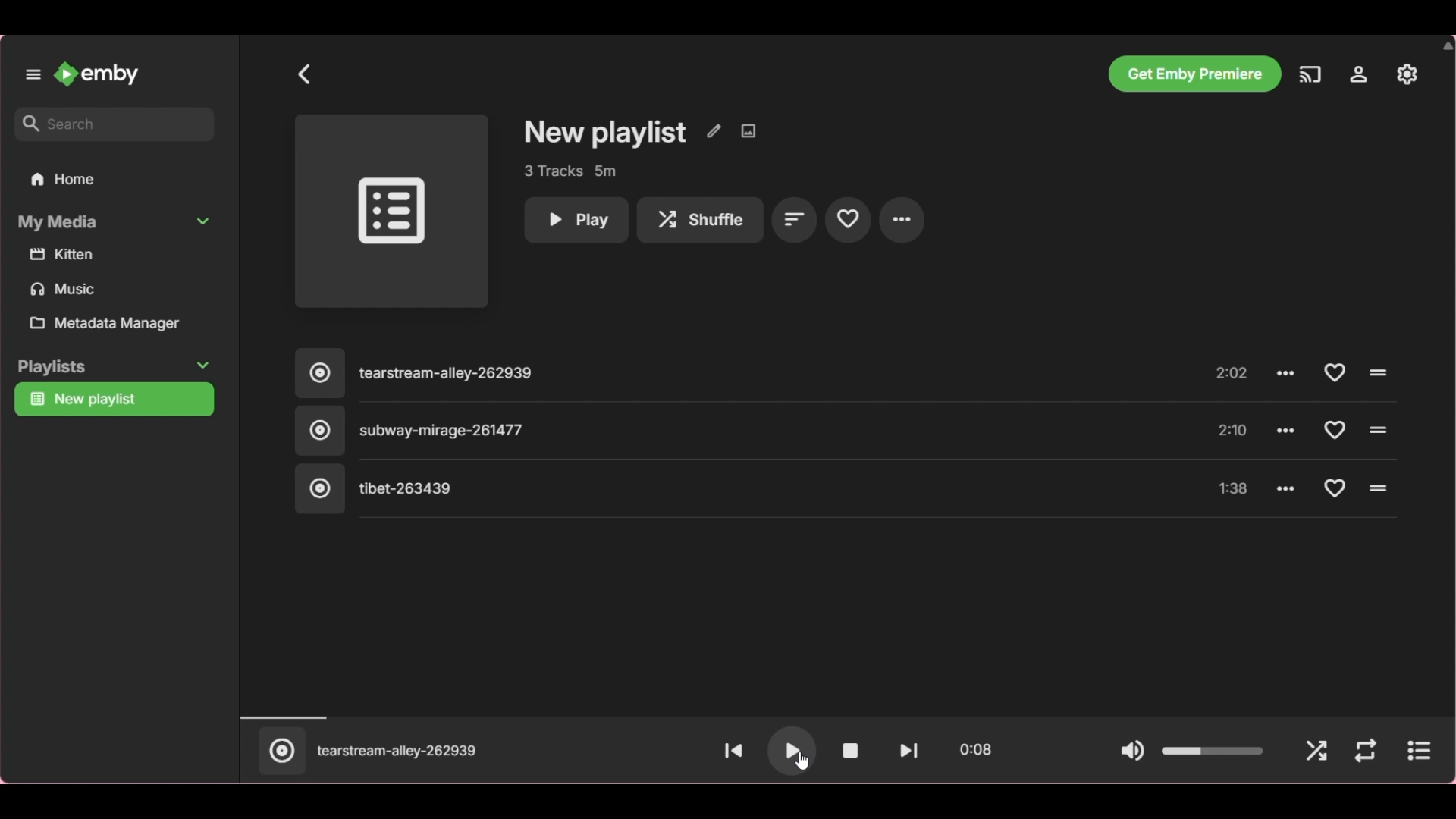 This screenshot has height=819, width=1456. I want to click on Click to only show current selection of song, so click(280, 751).